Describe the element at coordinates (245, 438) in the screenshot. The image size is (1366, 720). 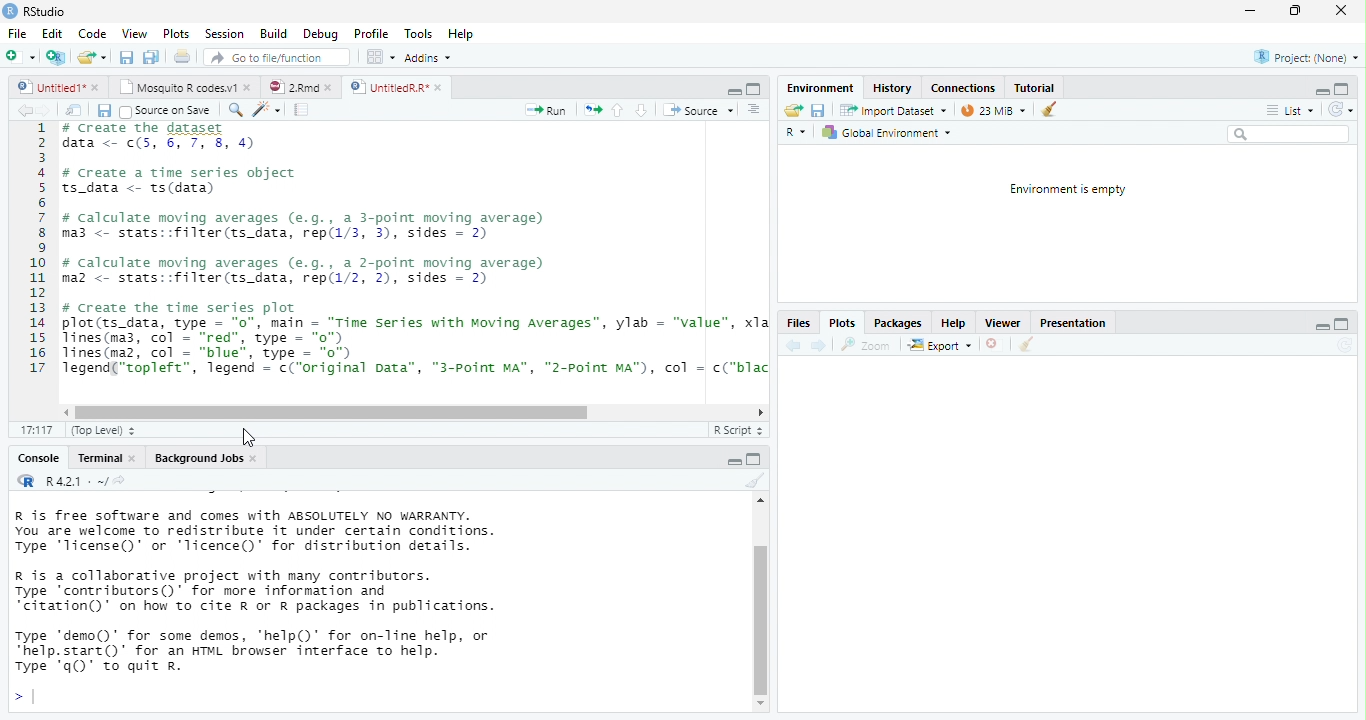
I see `cursor` at that location.